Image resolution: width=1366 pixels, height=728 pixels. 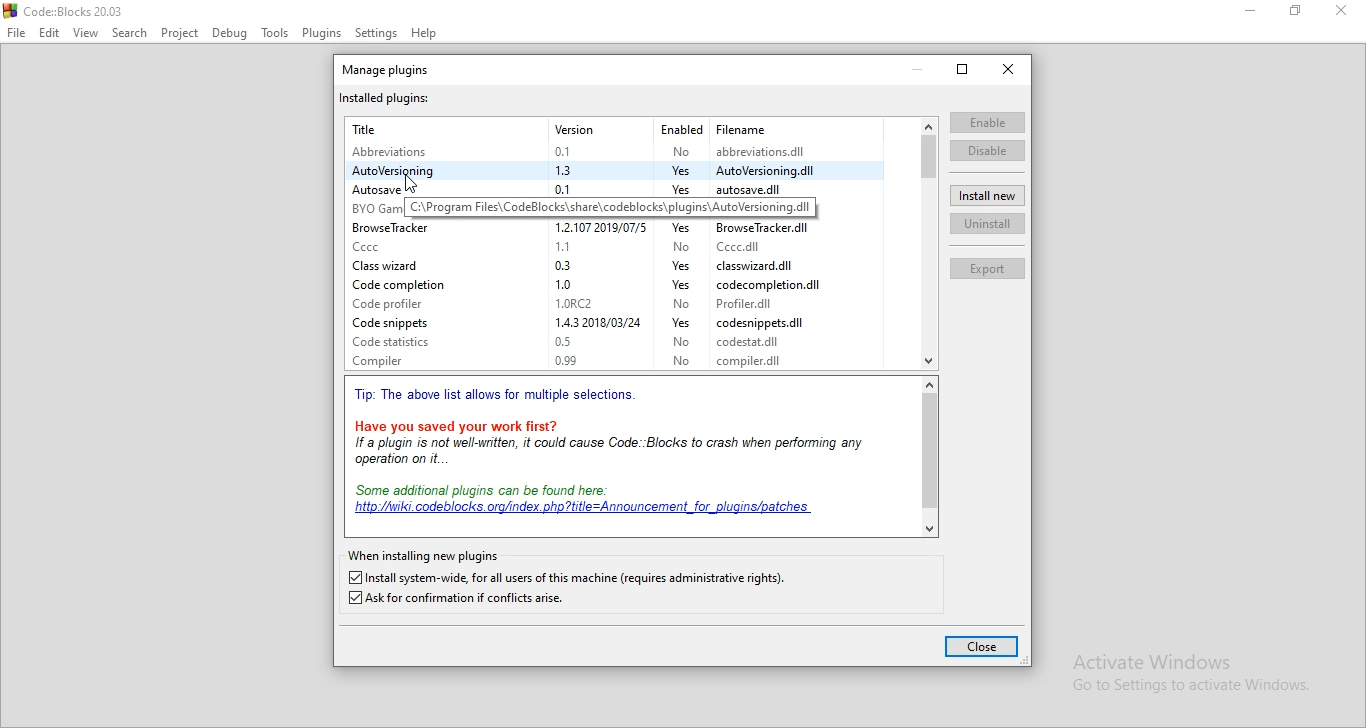 What do you see at coordinates (1338, 9) in the screenshot?
I see `close` at bounding box center [1338, 9].